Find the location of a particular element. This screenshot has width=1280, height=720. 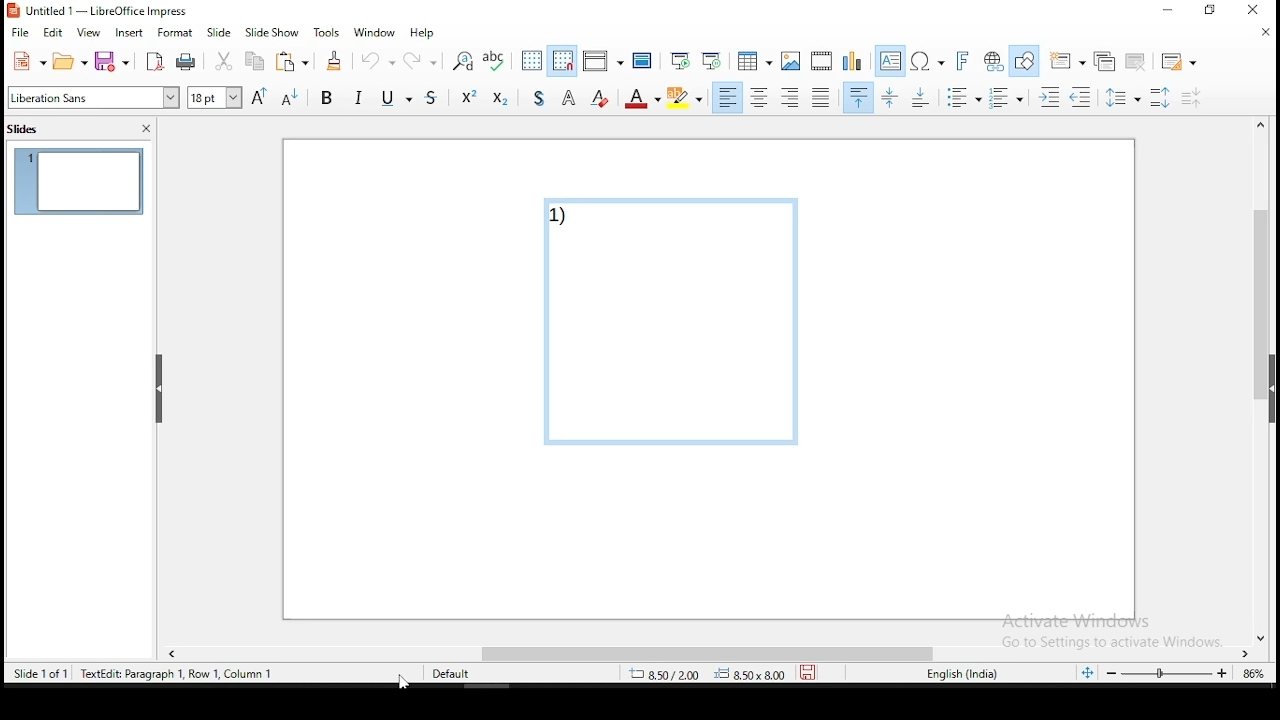

edit is located at coordinates (54, 33).